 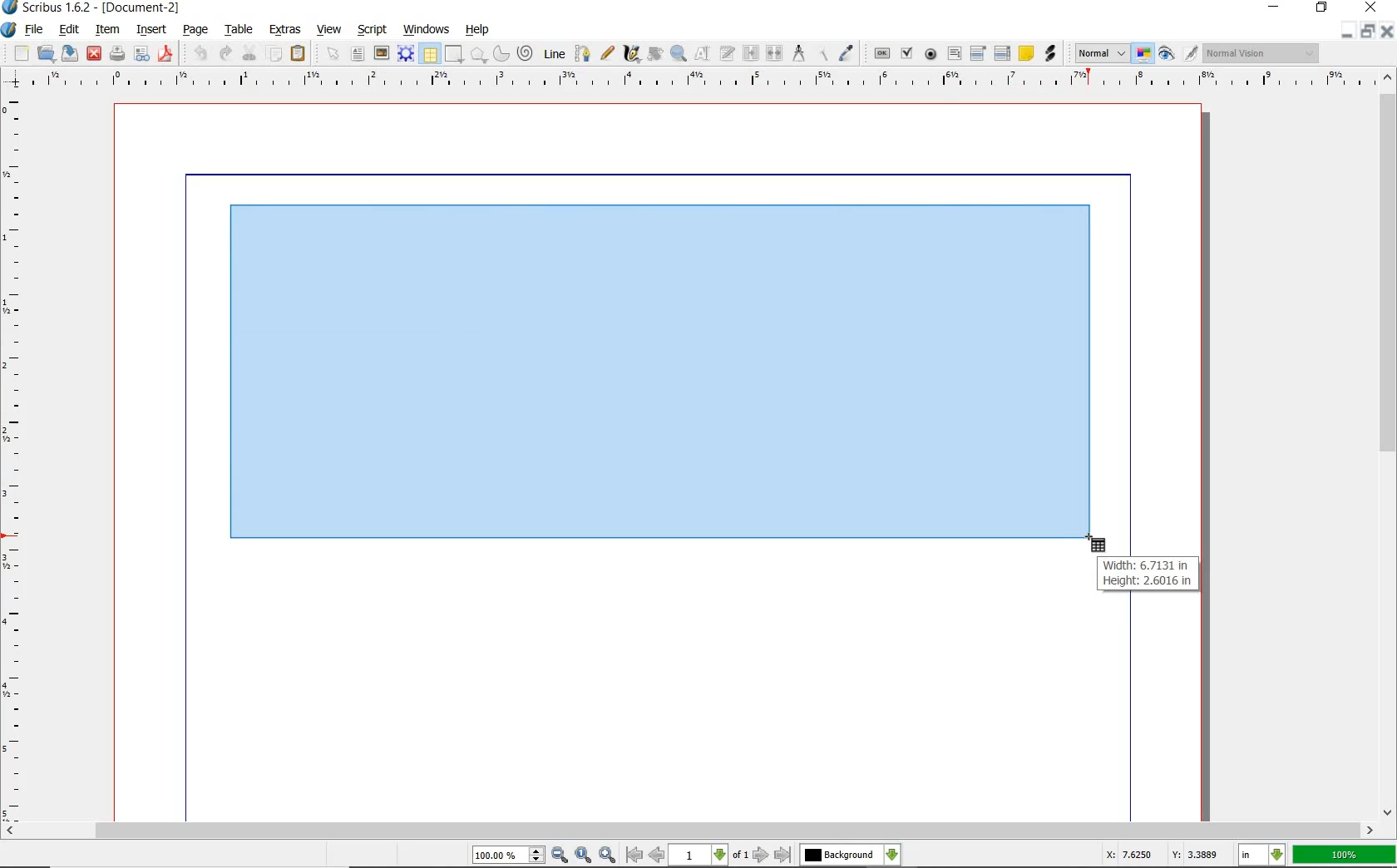 I want to click on edit, so click(x=70, y=31).